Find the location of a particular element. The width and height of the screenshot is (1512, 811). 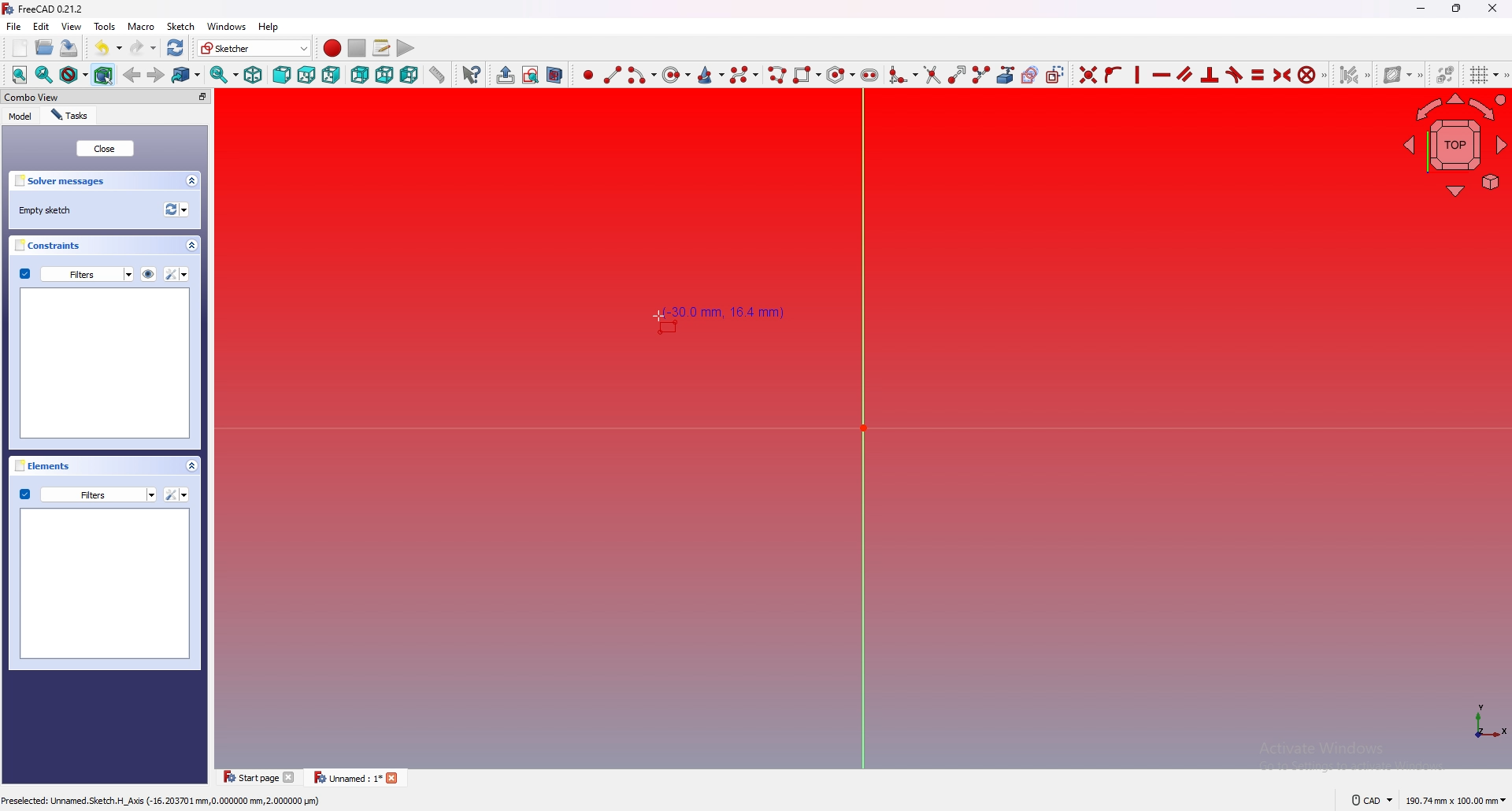

constraint symmetrical is located at coordinates (1283, 76).